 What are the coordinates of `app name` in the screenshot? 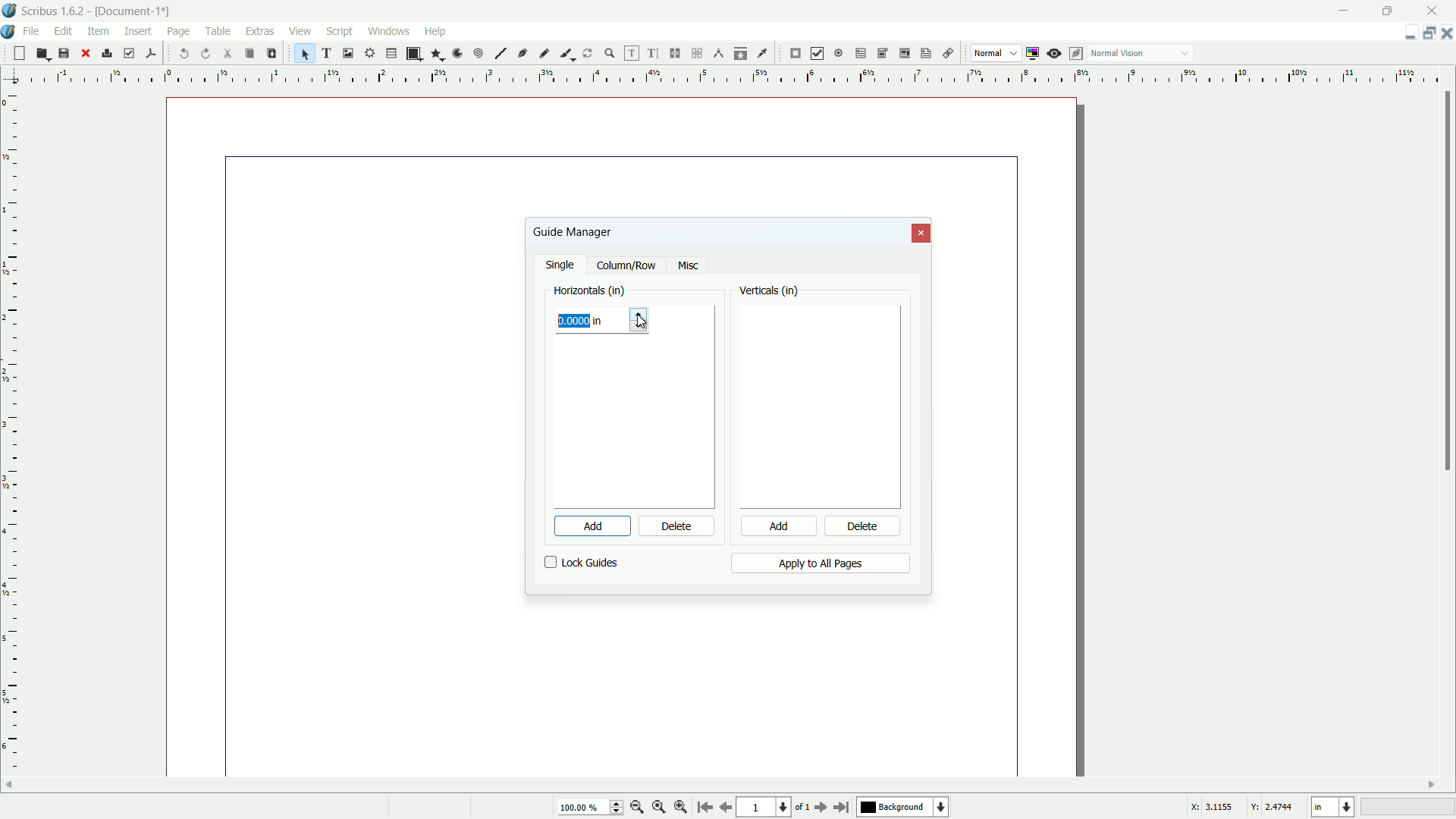 It's located at (53, 12).